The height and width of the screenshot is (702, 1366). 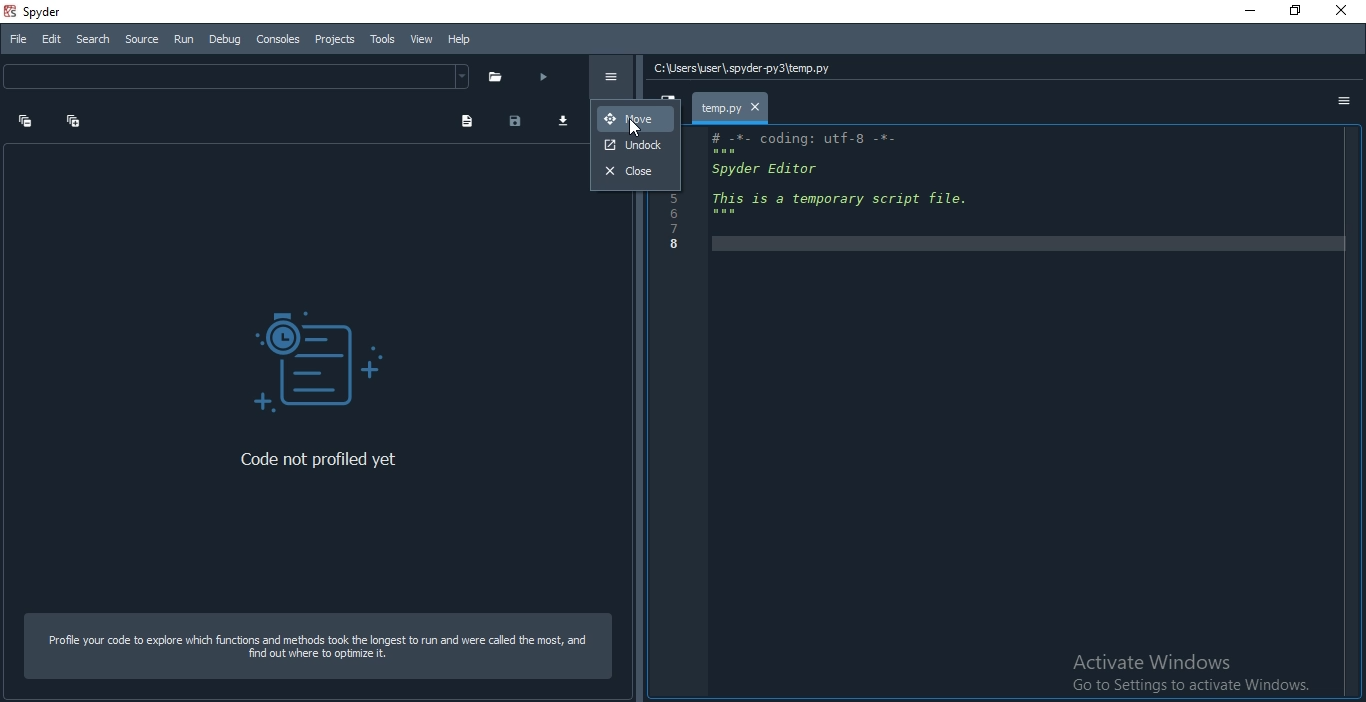 I want to click on Source, so click(x=142, y=40).